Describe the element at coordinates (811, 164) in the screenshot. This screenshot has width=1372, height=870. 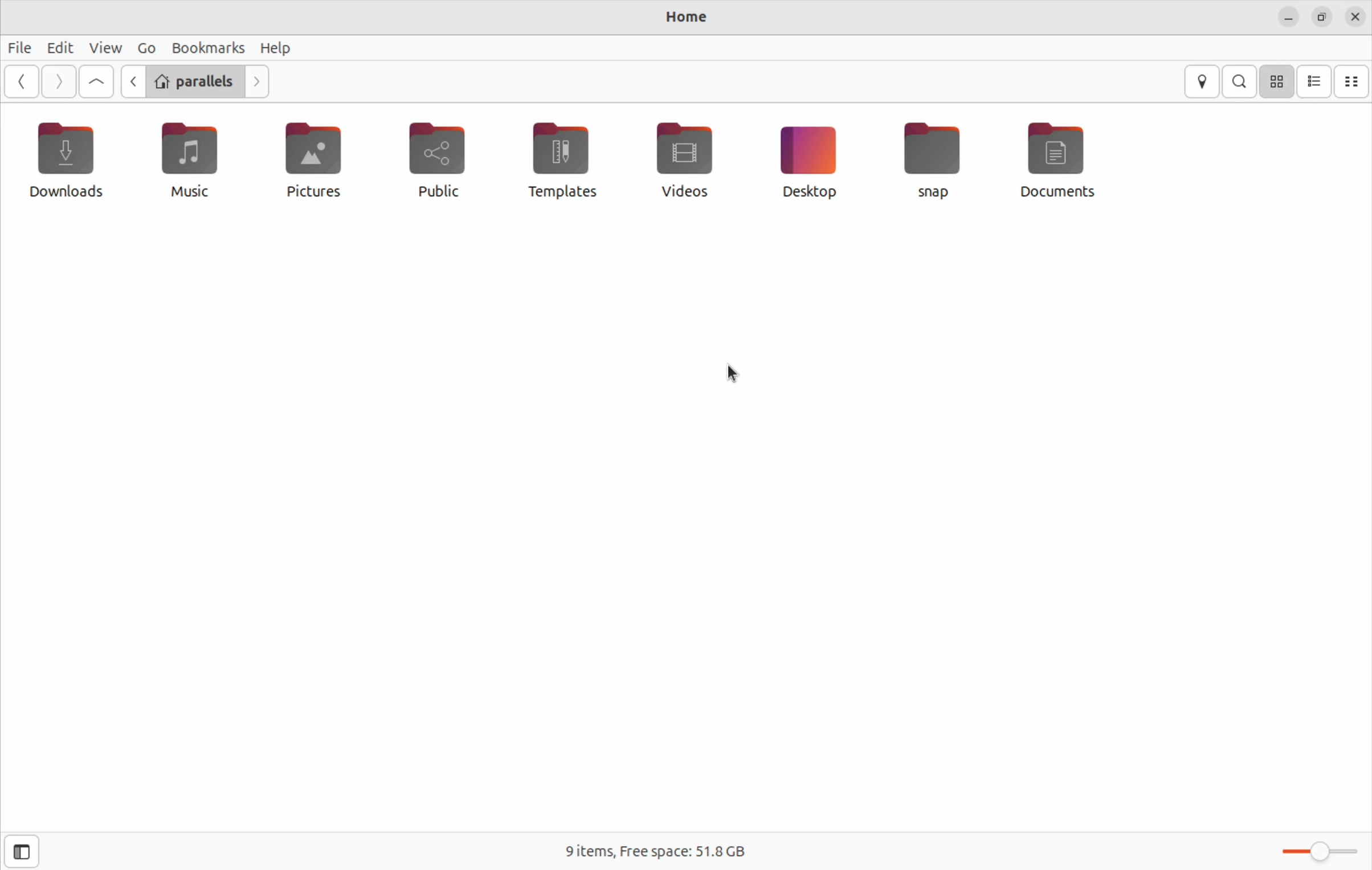
I see `Ddesktop` at that location.